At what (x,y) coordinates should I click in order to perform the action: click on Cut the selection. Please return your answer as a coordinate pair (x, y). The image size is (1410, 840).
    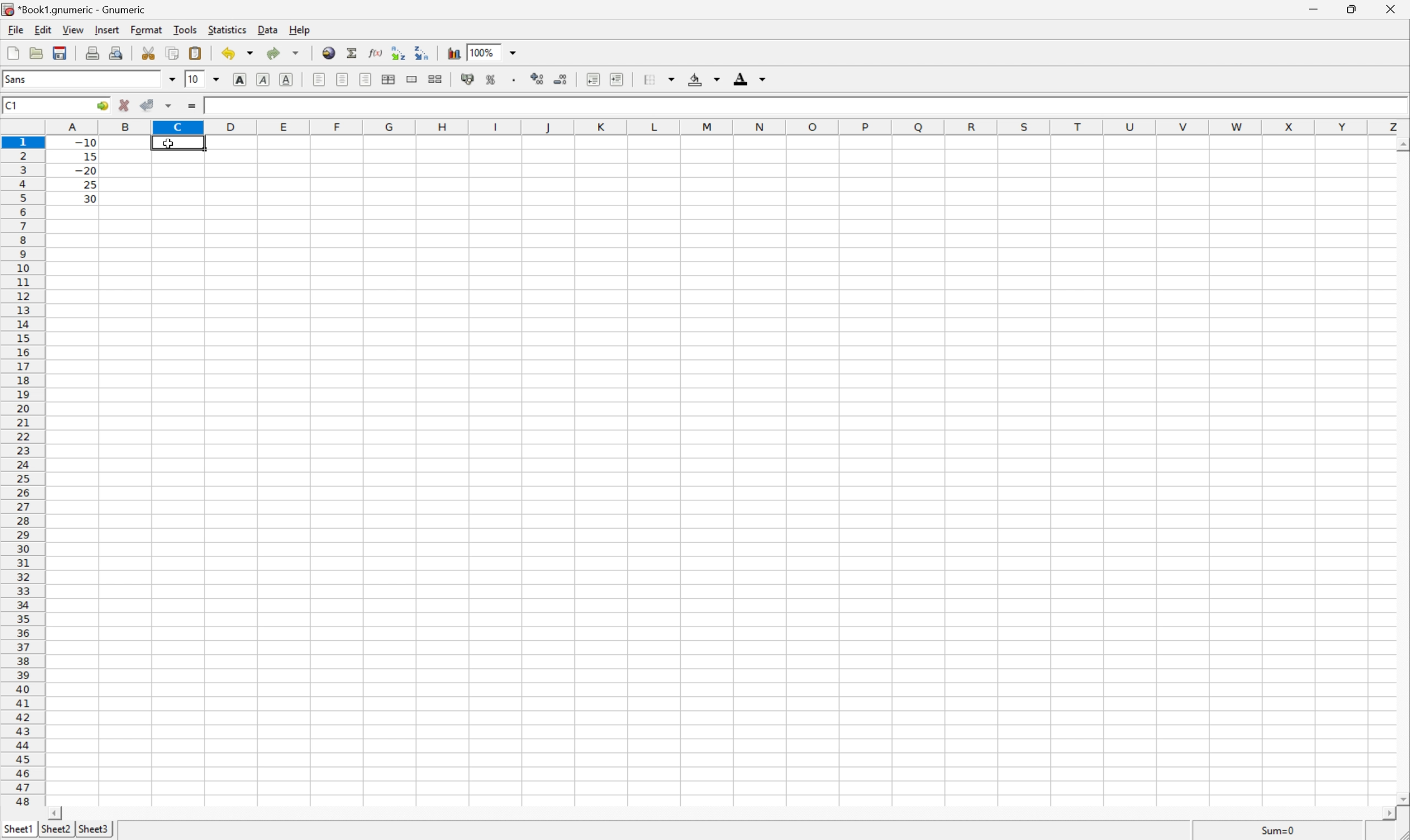
    Looking at the image, I should click on (151, 53).